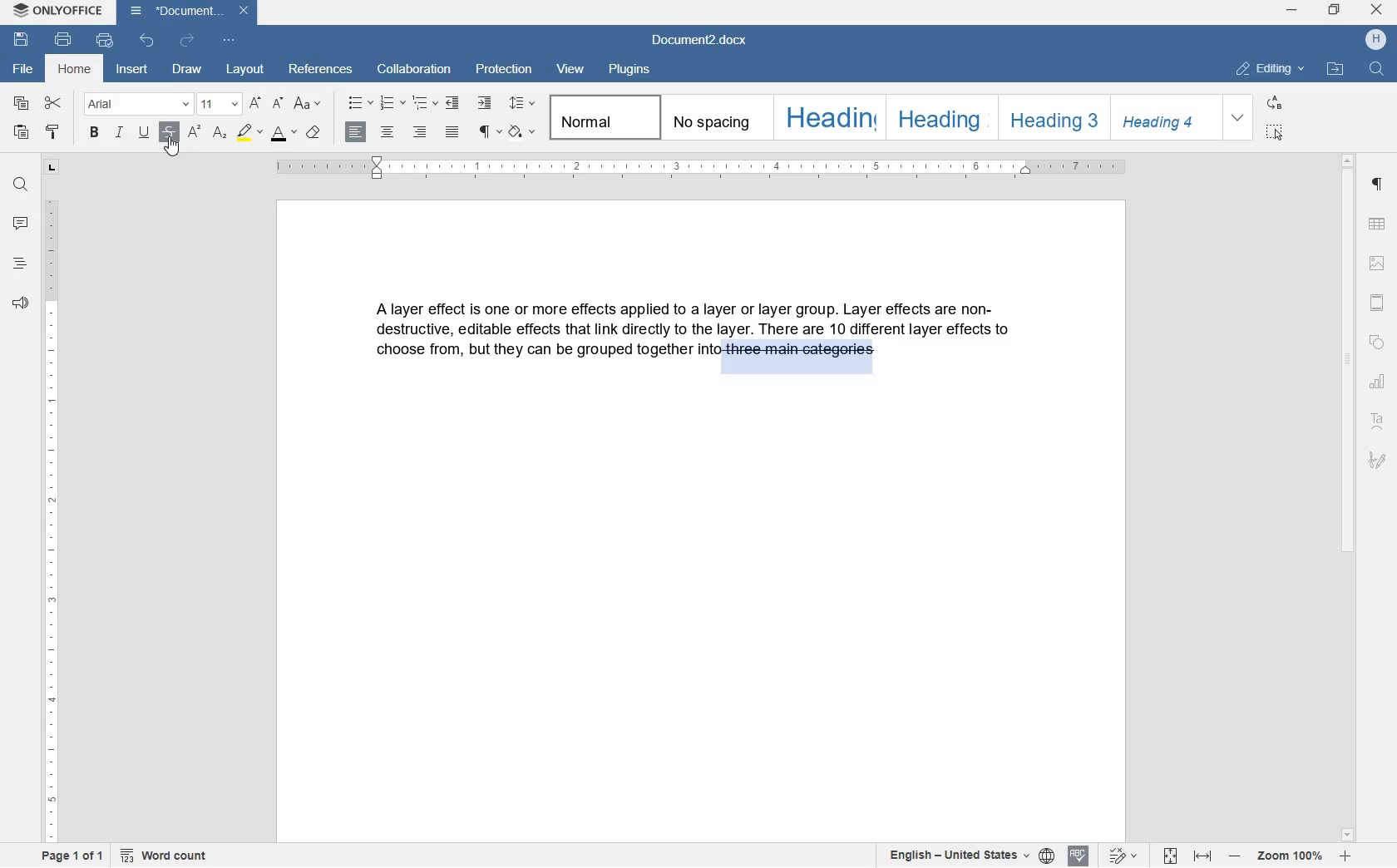  Describe the element at coordinates (20, 39) in the screenshot. I see `save` at that location.